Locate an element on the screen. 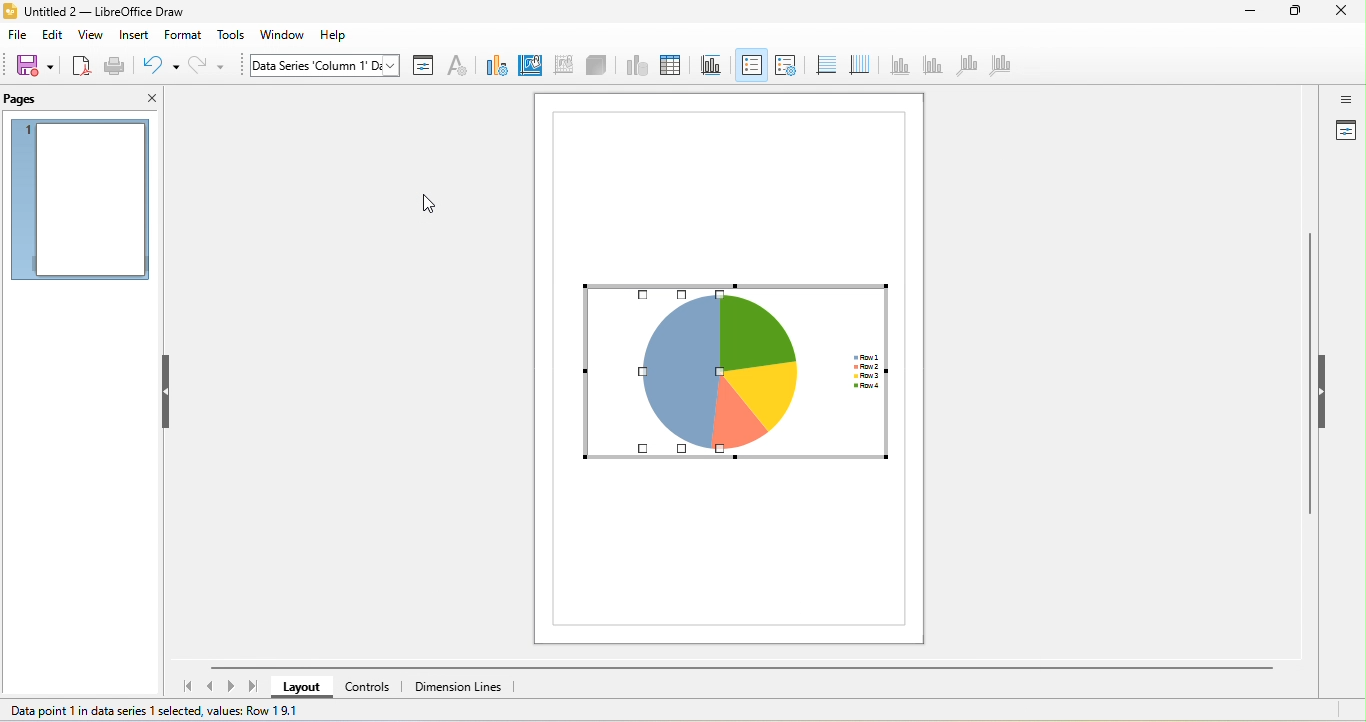 The image size is (1366, 722). legend on/ off is located at coordinates (751, 65).